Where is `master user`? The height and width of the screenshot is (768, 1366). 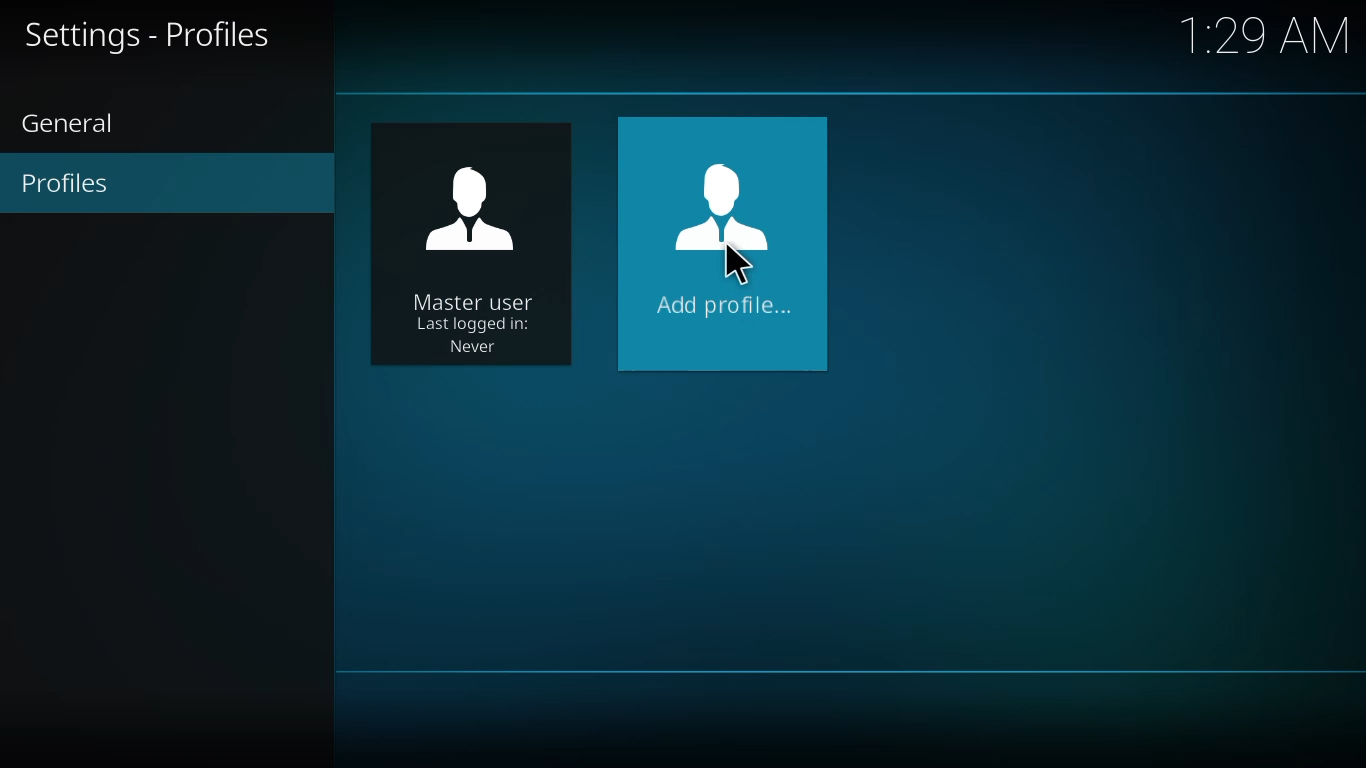 master user is located at coordinates (471, 253).